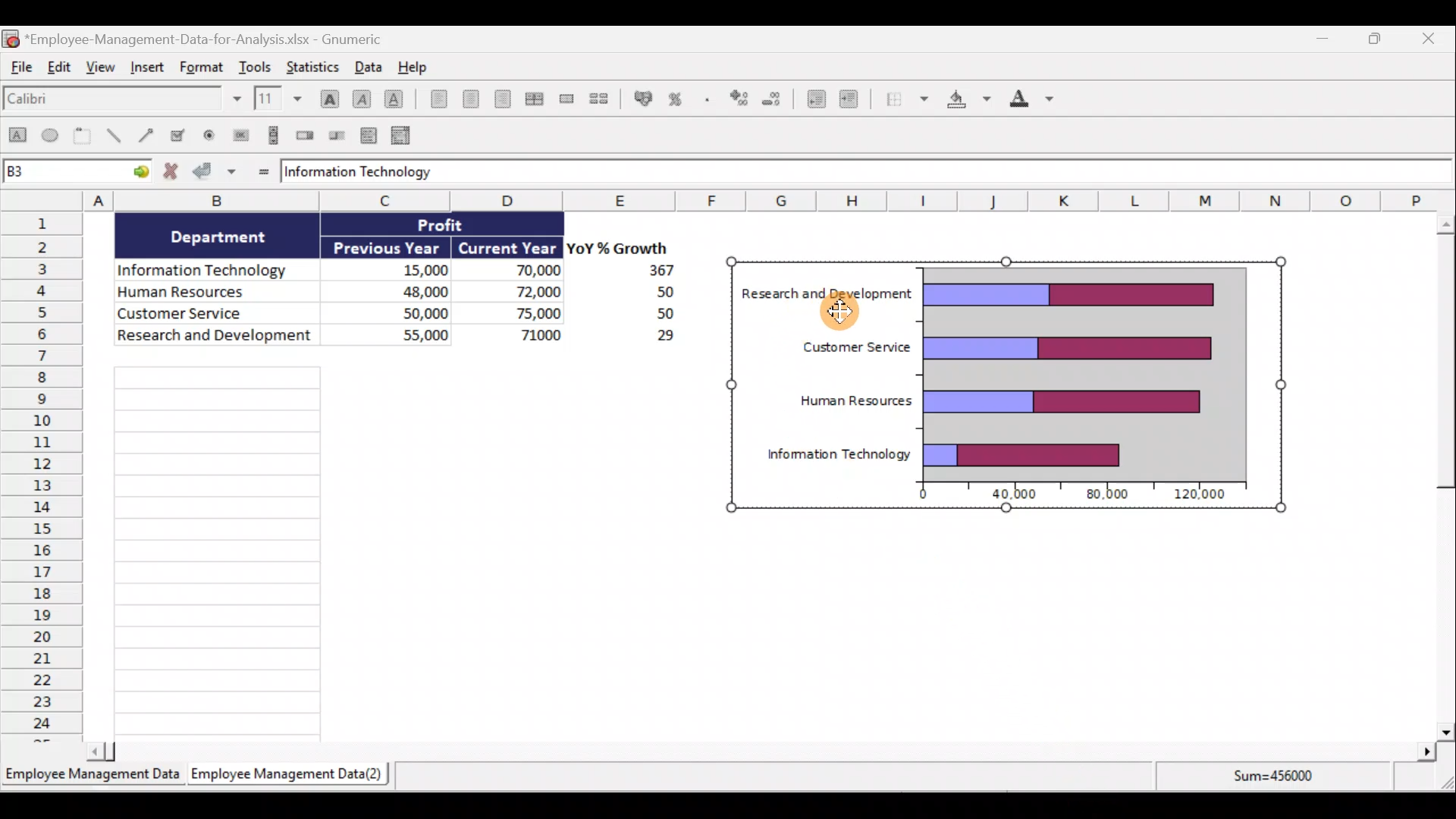 This screenshot has width=1456, height=819. I want to click on View, so click(101, 67).